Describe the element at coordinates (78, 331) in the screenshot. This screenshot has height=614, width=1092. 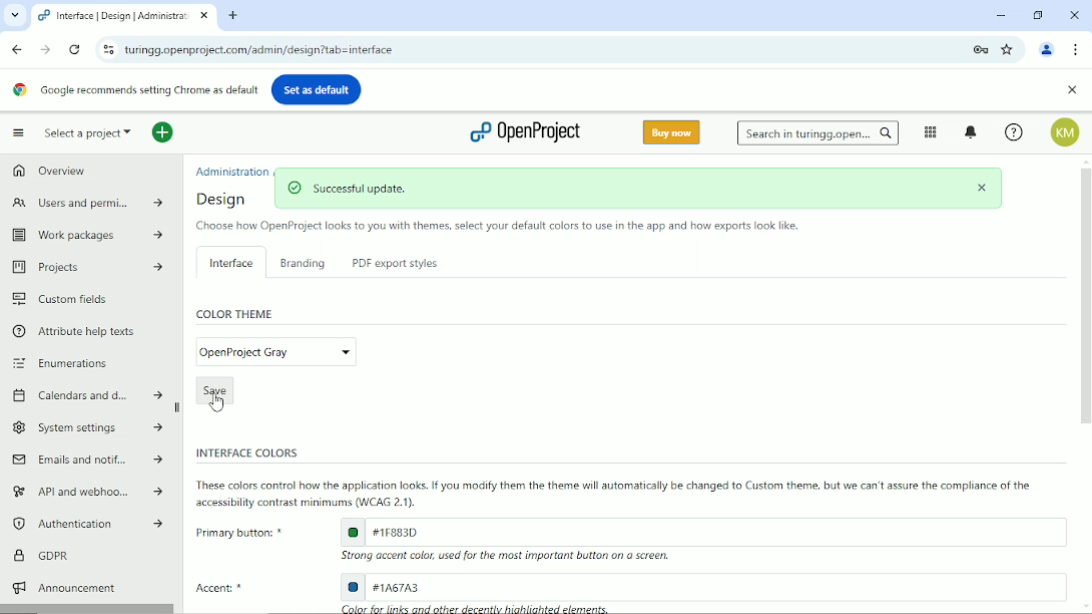
I see `Attribute help texts` at that location.